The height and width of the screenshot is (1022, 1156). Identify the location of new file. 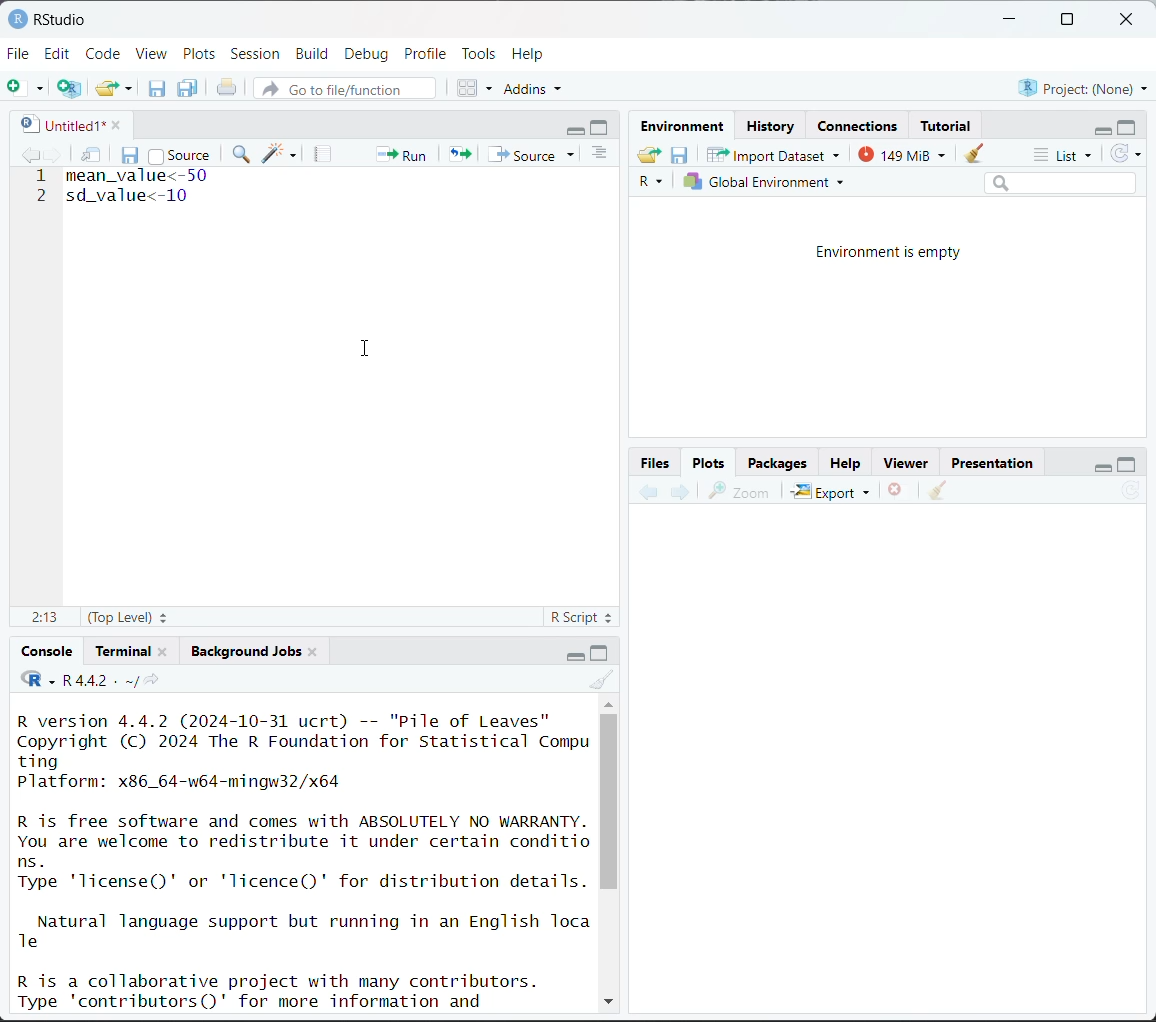
(25, 88).